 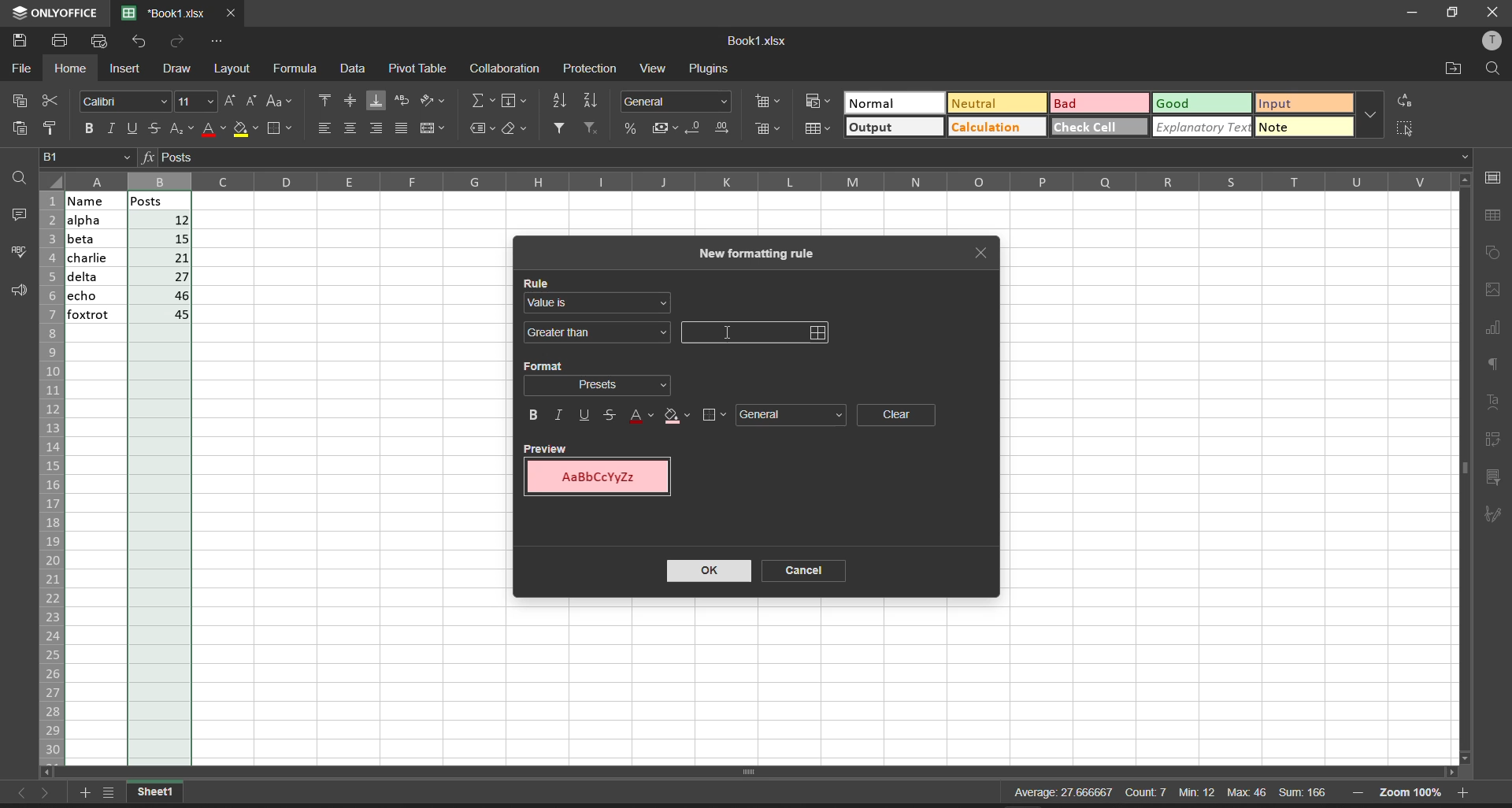 What do you see at coordinates (1496, 474) in the screenshot?
I see `slicer settings` at bounding box center [1496, 474].